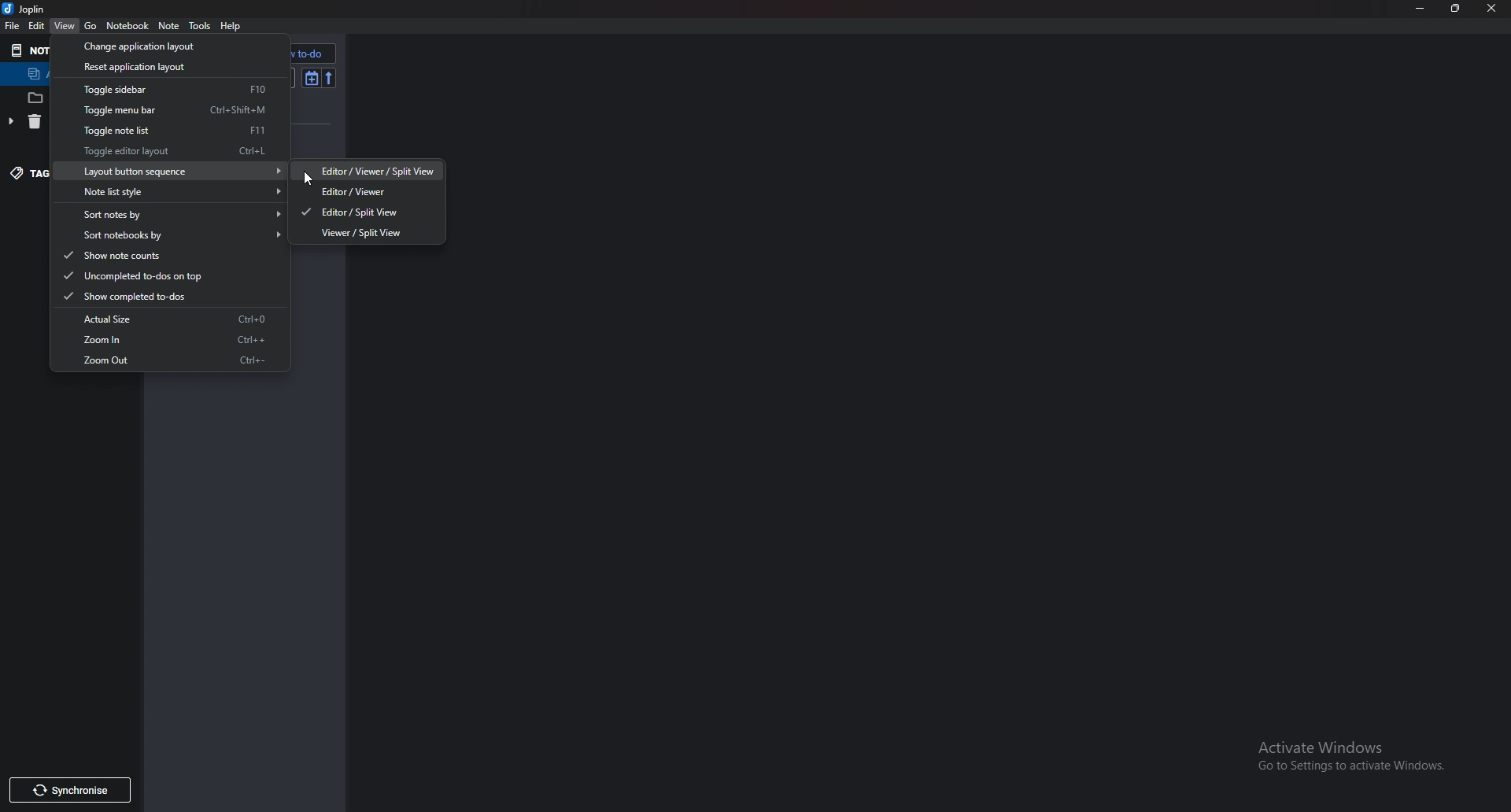  What do you see at coordinates (168, 112) in the screenshot?
I see `toggle menu bar` at bounding box center [168, 112].